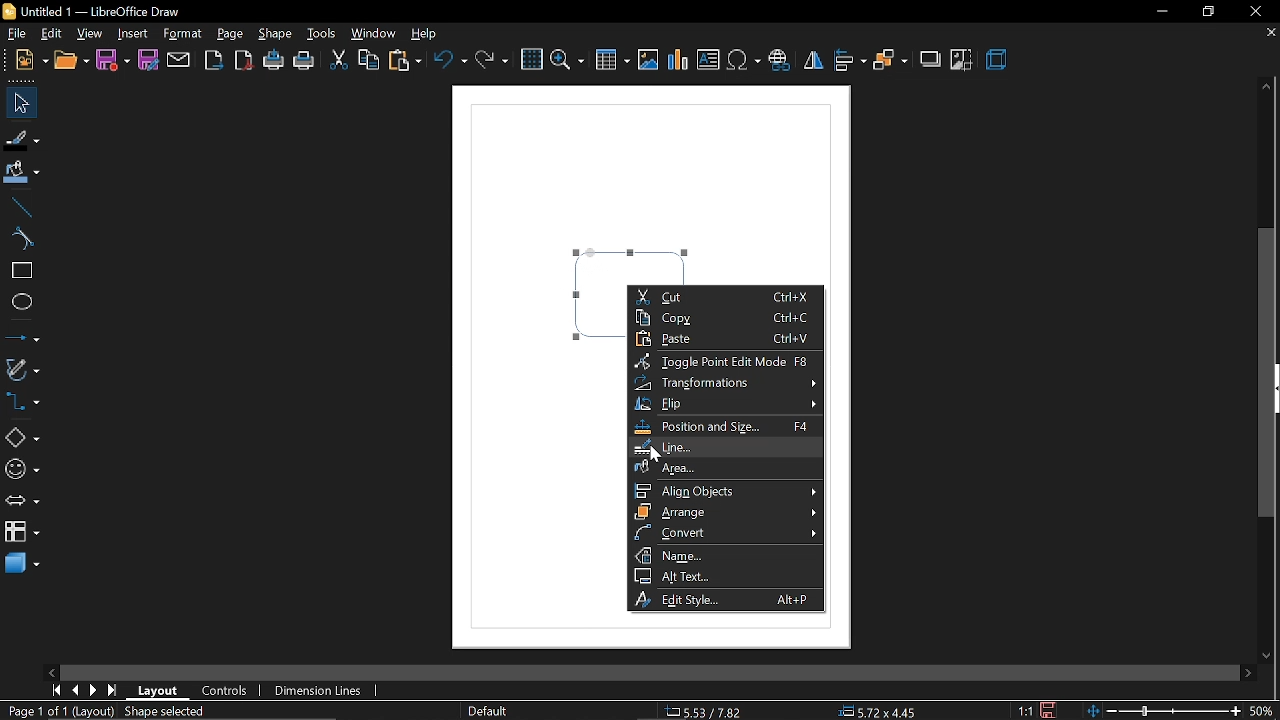  Describe the element at coordinates (172, 713) in the screenshot. I see `selection ` at that location.